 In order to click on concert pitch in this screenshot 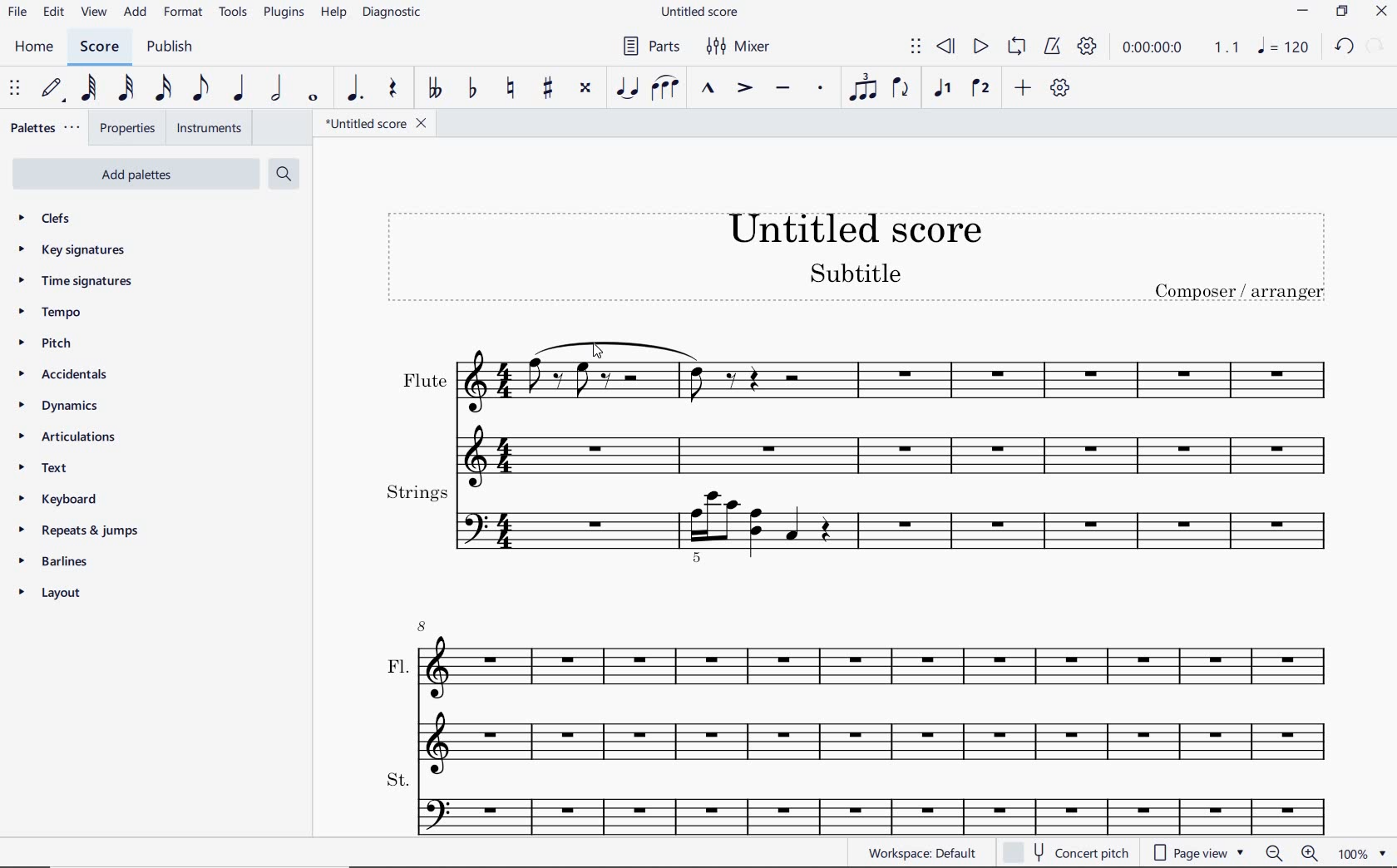, I will do `click(1072, 851)`.